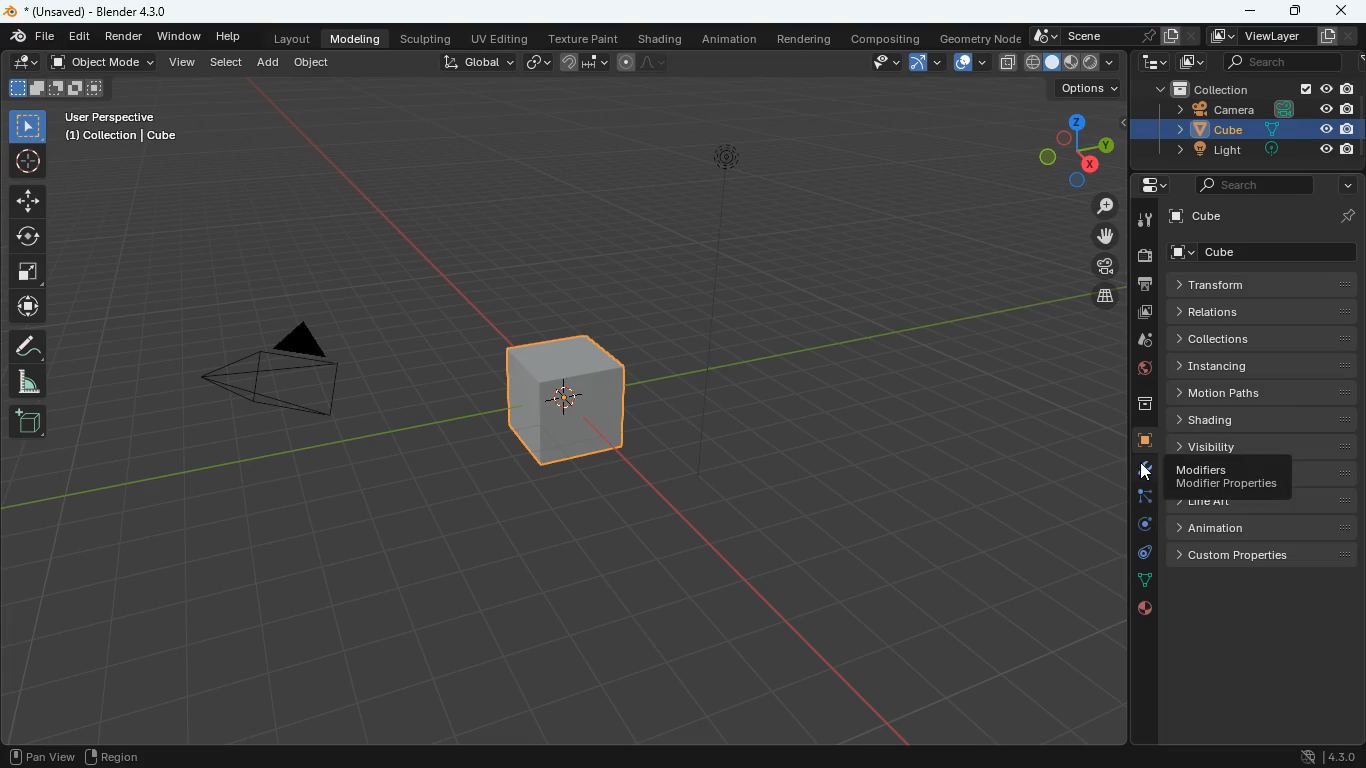 The width and height of the screenshot is (1366, 768). Describe the element at coordinates (1199, 87) in the screenshot. I see `collection` at that location.